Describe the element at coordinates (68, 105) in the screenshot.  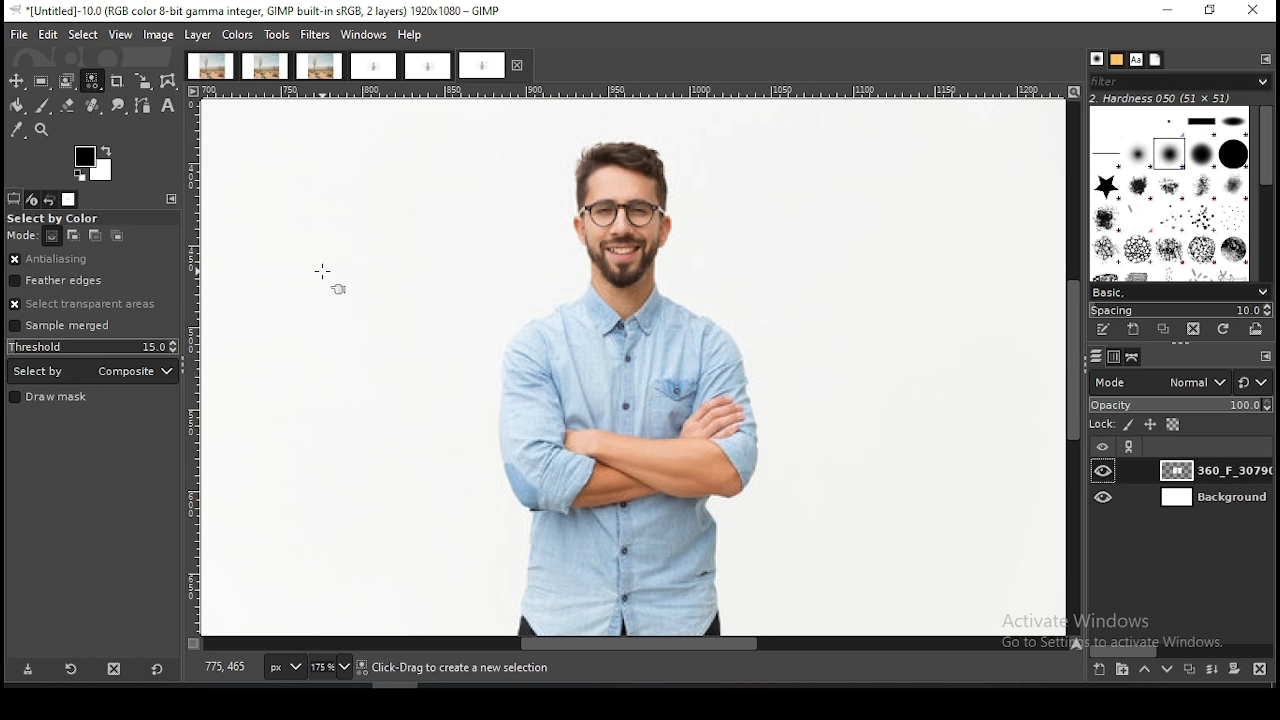
I see `eraser tool` at that location.